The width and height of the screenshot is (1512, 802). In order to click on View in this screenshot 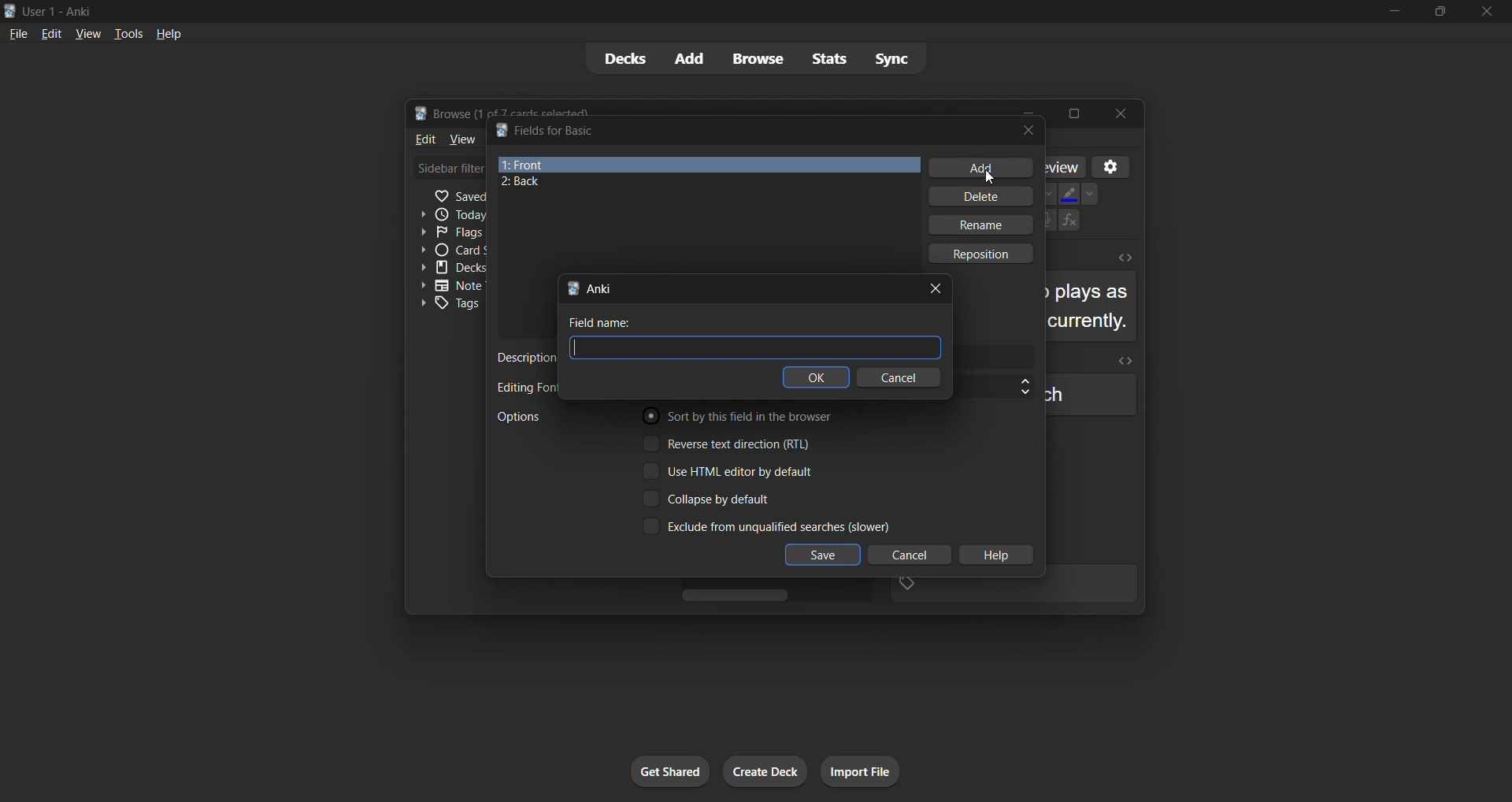, I will do `click(461, 139)`.